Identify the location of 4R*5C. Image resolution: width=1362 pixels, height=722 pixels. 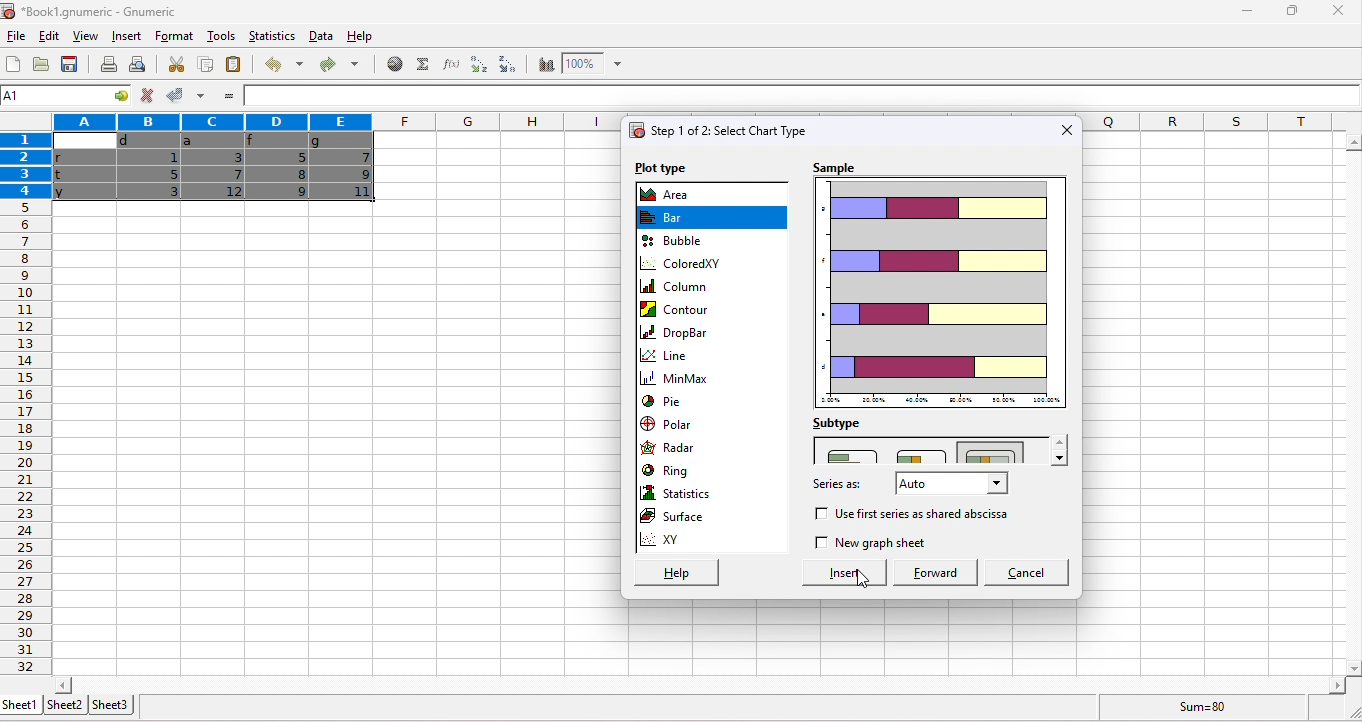
(52, 96).